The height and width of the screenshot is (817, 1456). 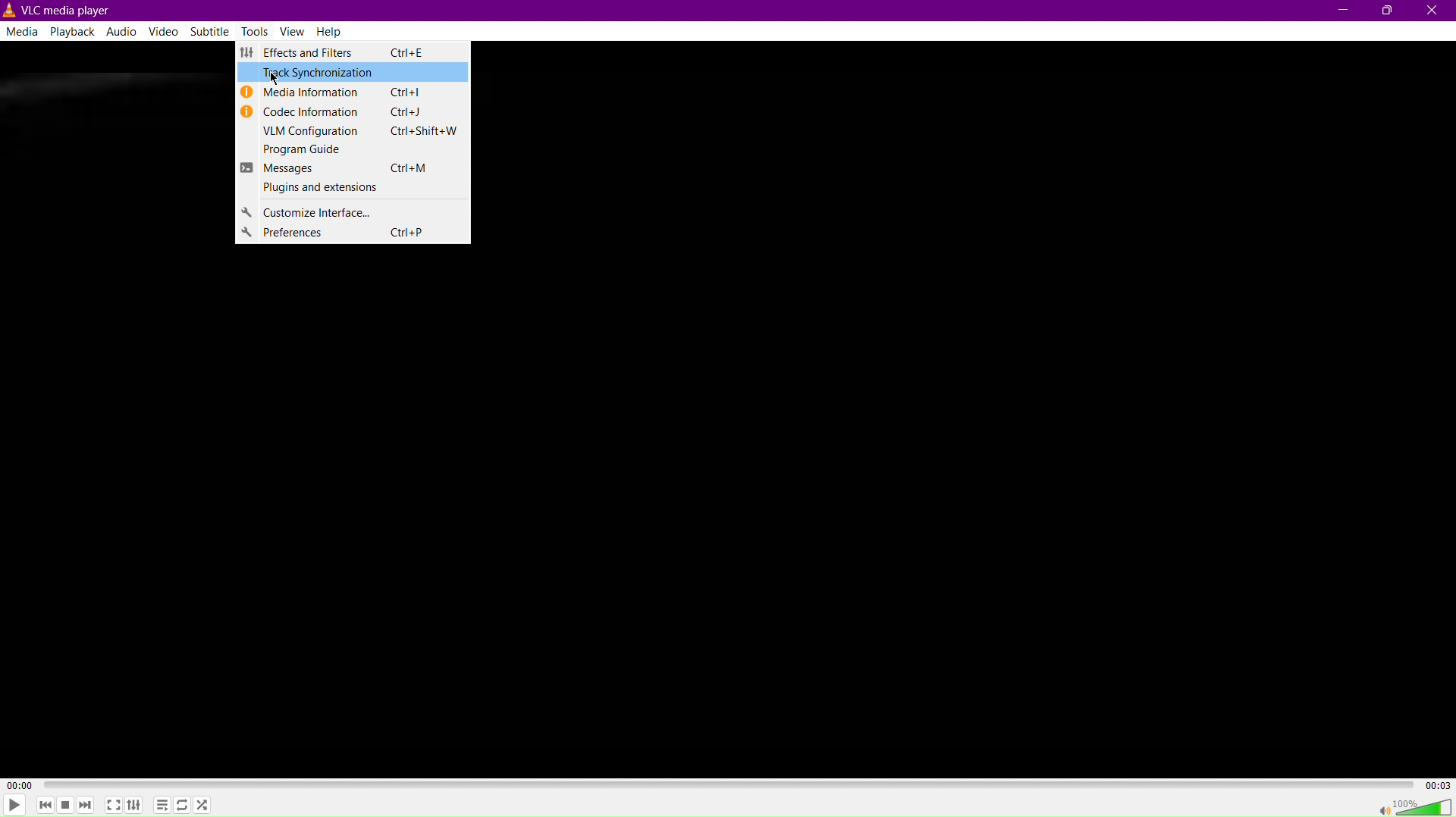 I want to click on Play, so click(x=17, y=805).